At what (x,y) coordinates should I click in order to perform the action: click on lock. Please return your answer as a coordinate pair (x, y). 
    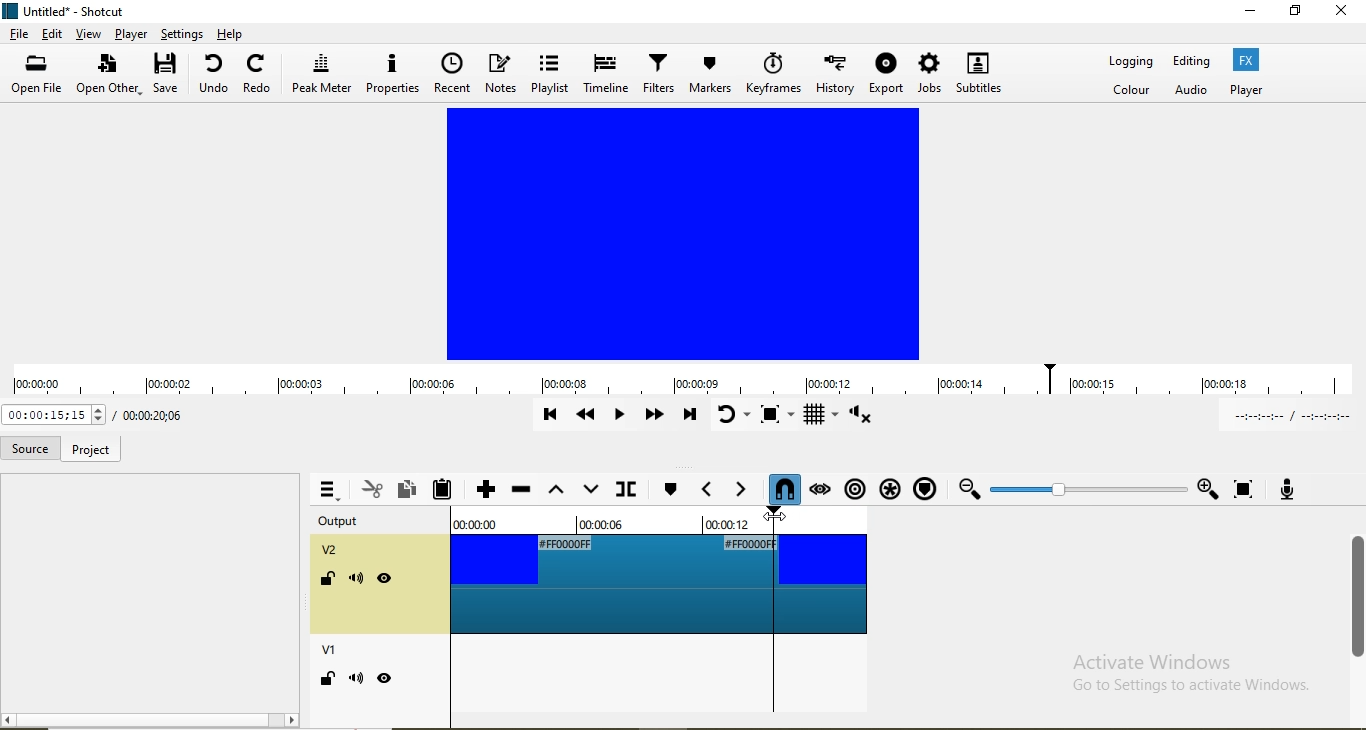
    Looking at the image, I should click on (326, 581).